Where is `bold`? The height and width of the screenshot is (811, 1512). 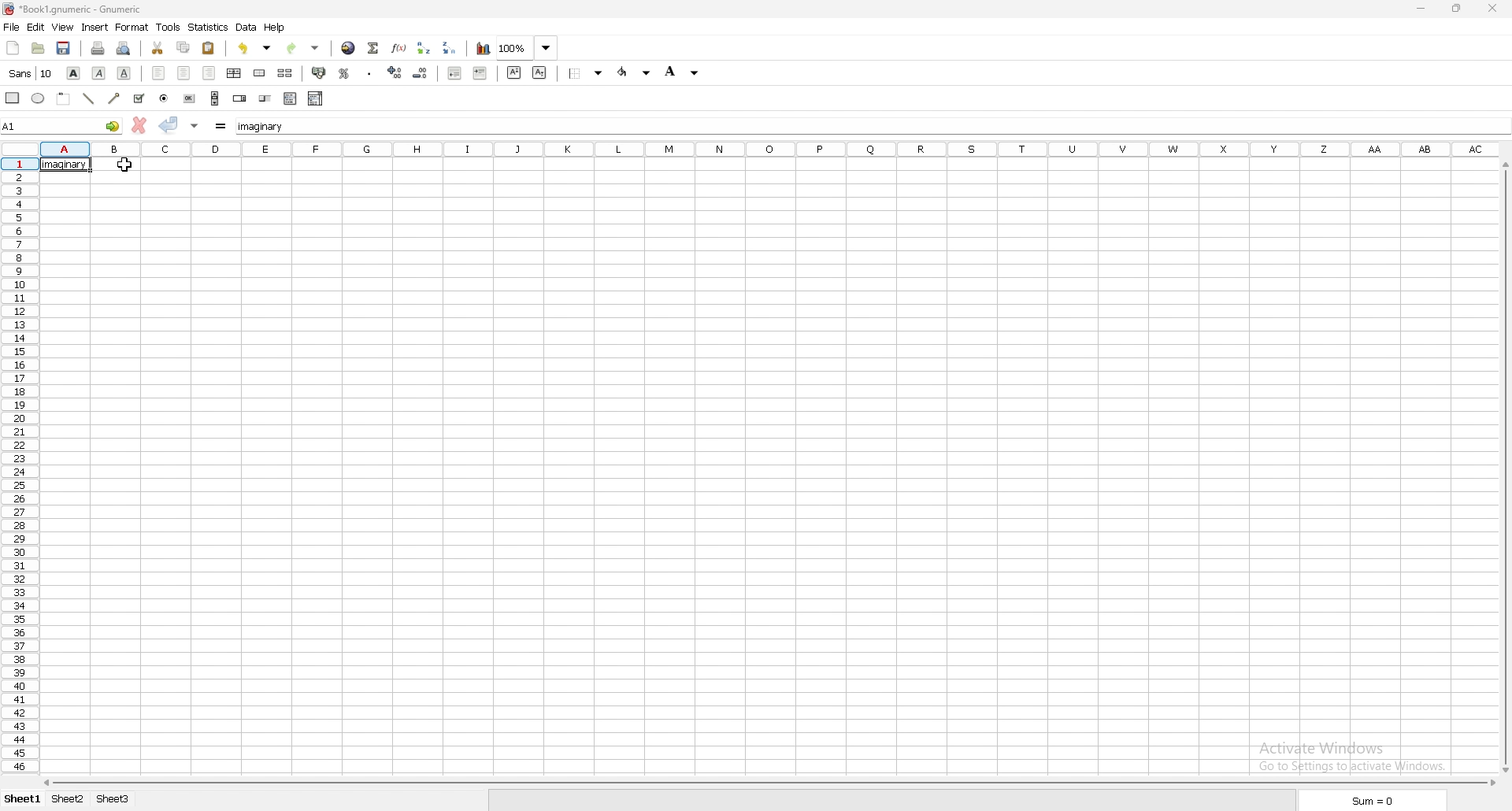 bold is located at coordinates (75, 72).